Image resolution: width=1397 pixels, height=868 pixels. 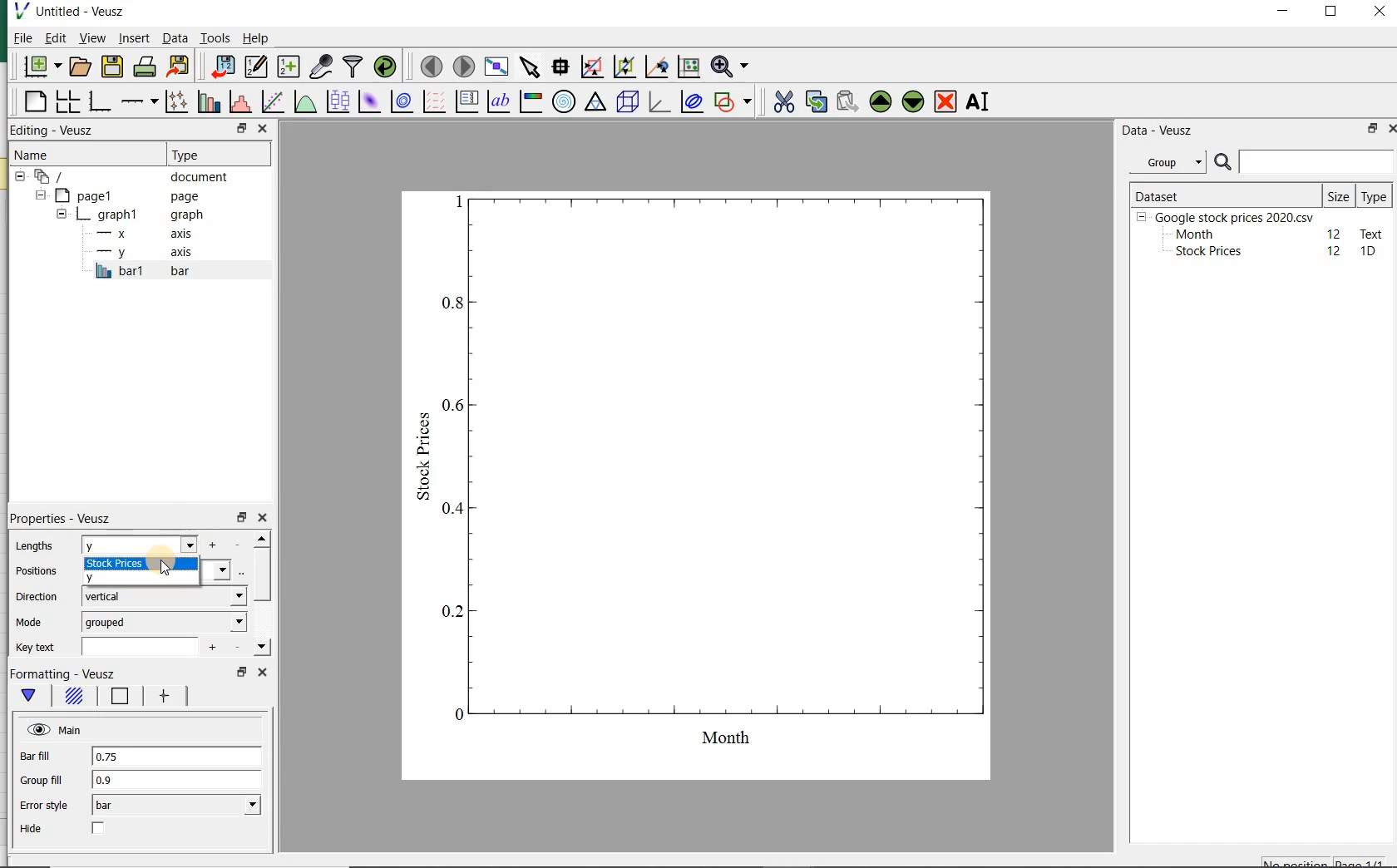 I want to click on x axis, so click(x=137, y=234).